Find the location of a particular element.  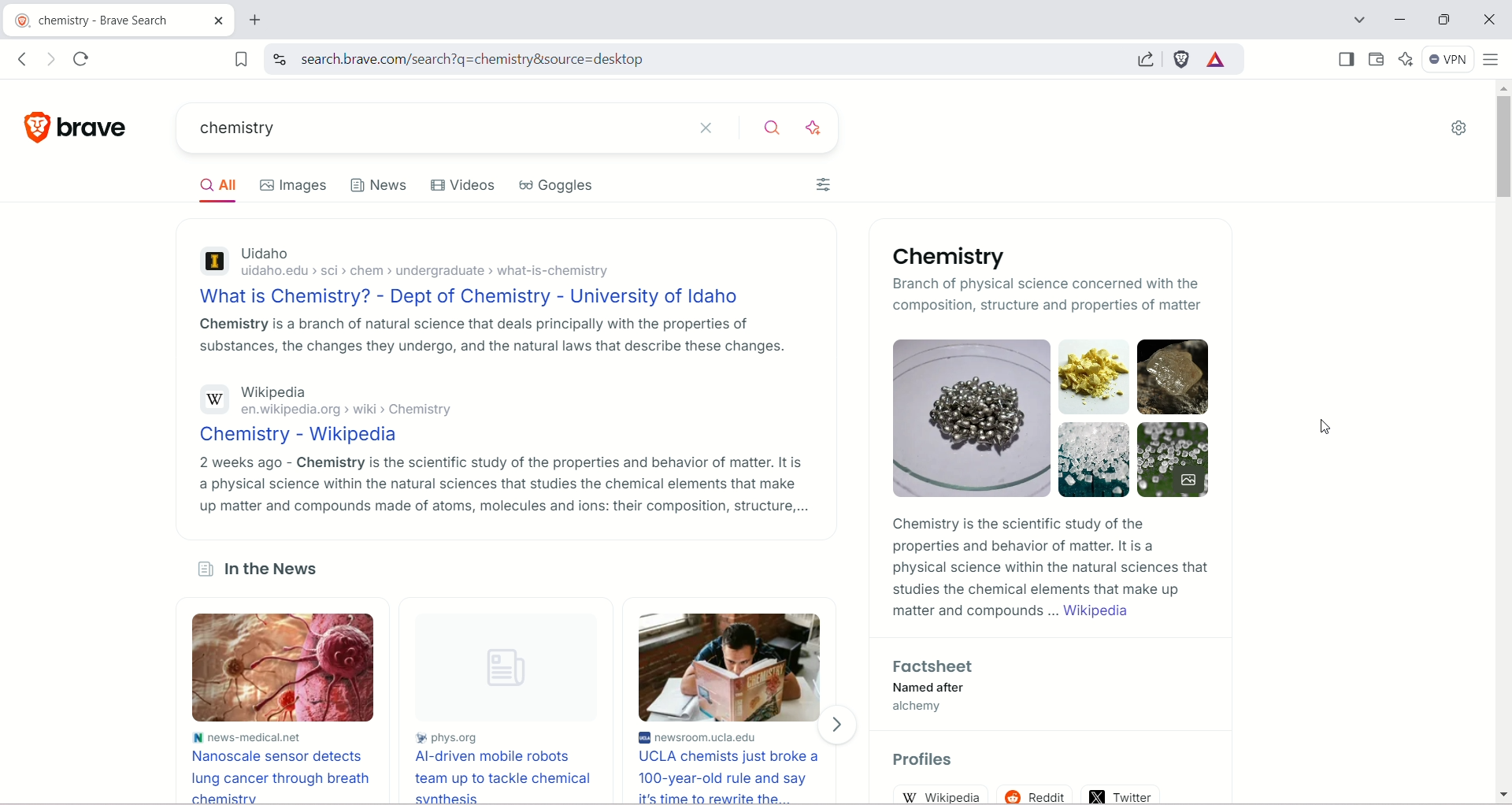

settings is located at coordinates (1458, 132).